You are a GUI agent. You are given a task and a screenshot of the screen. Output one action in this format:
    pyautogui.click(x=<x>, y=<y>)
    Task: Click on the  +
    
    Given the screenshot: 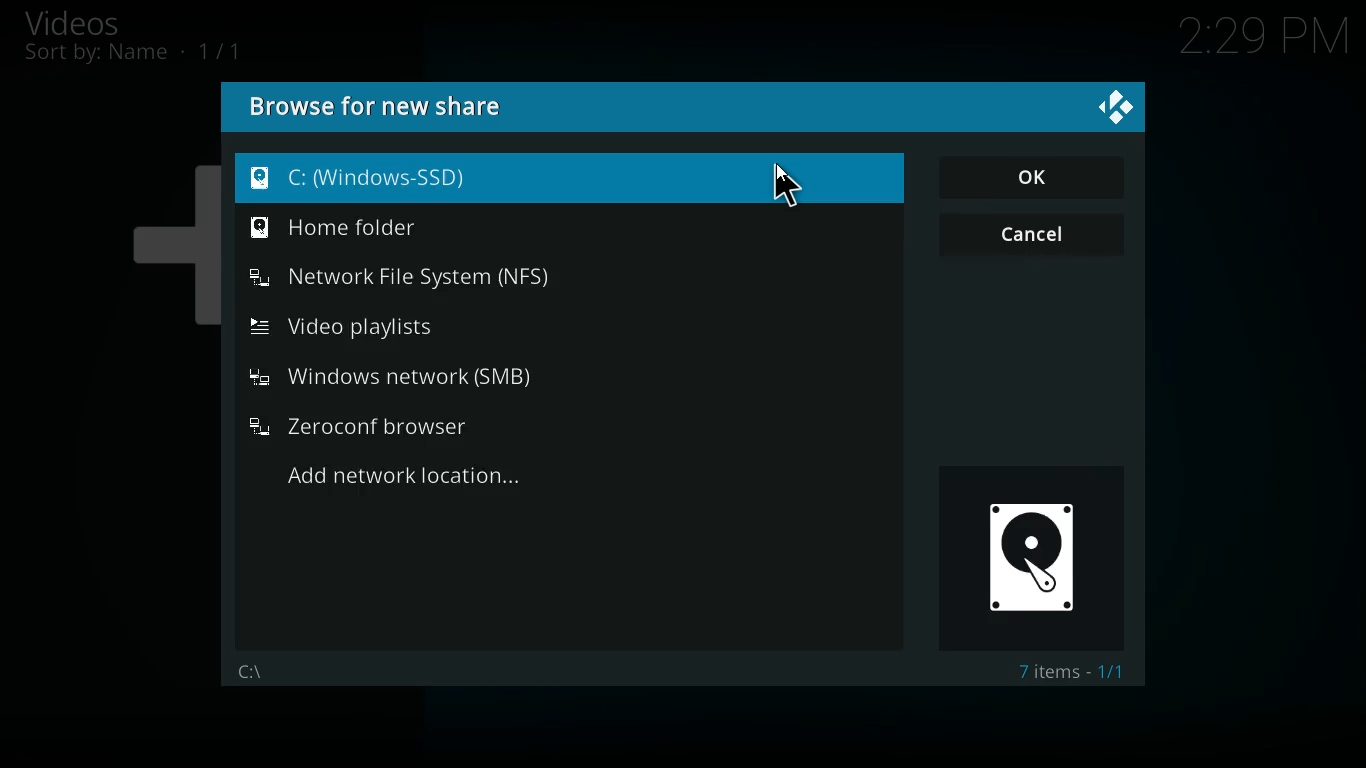 What is the action you would take?
    pyautogui.click(x=167, y=237)
    